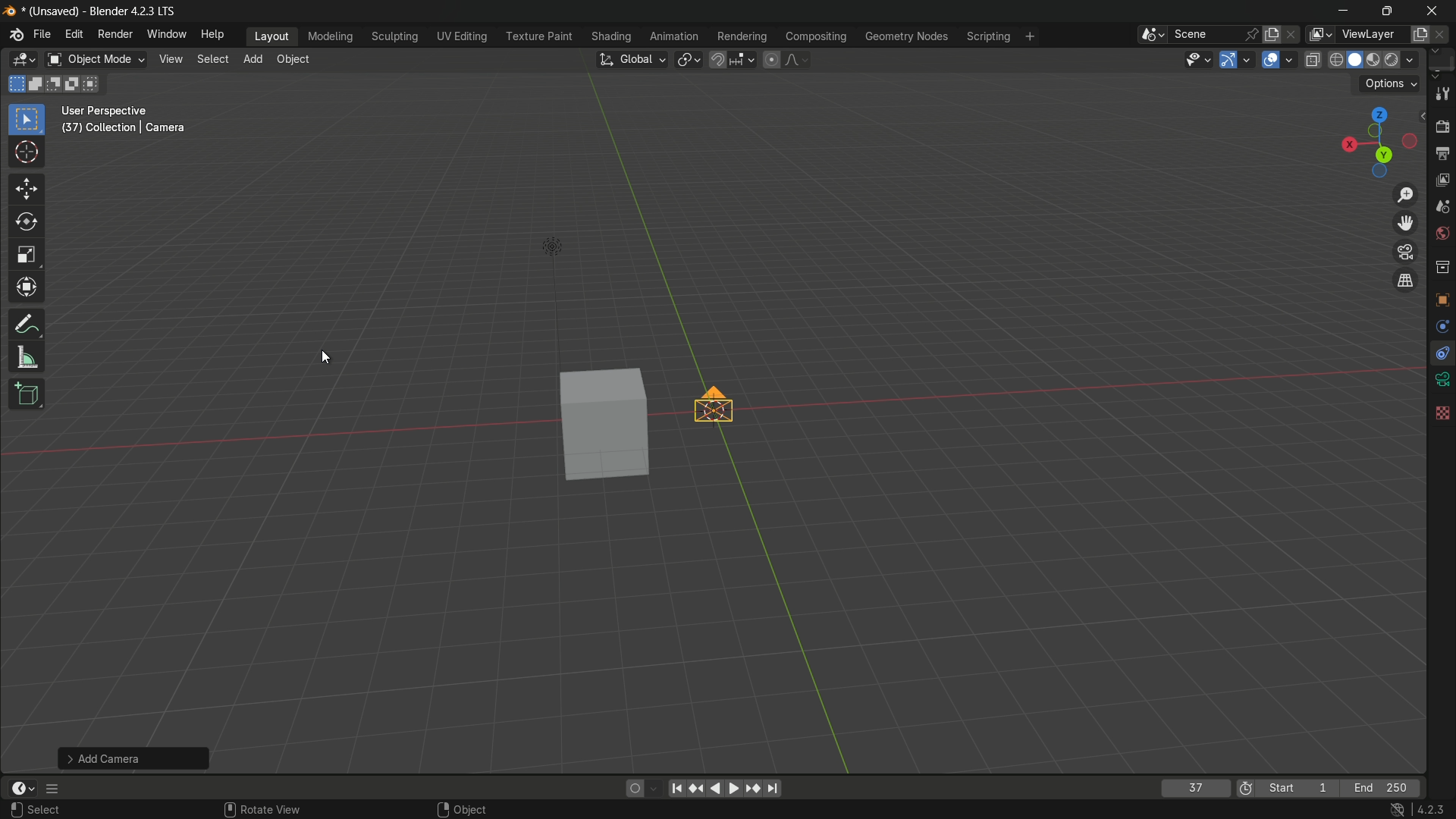 The width and height of the screenshot is (1456, 819). Describe the element at coordinates (705, 786) in the screenshot. I see `play animation` at that location.